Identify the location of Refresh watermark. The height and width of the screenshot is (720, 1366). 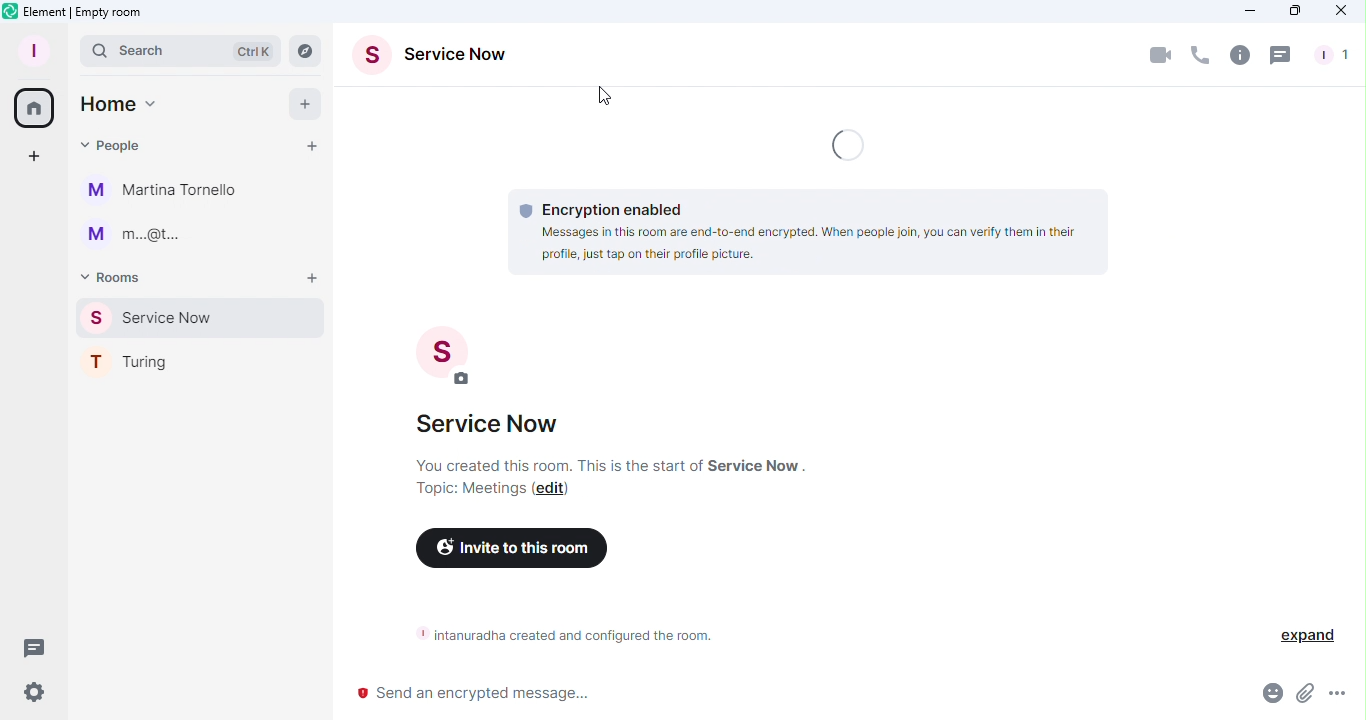
(852, 144).